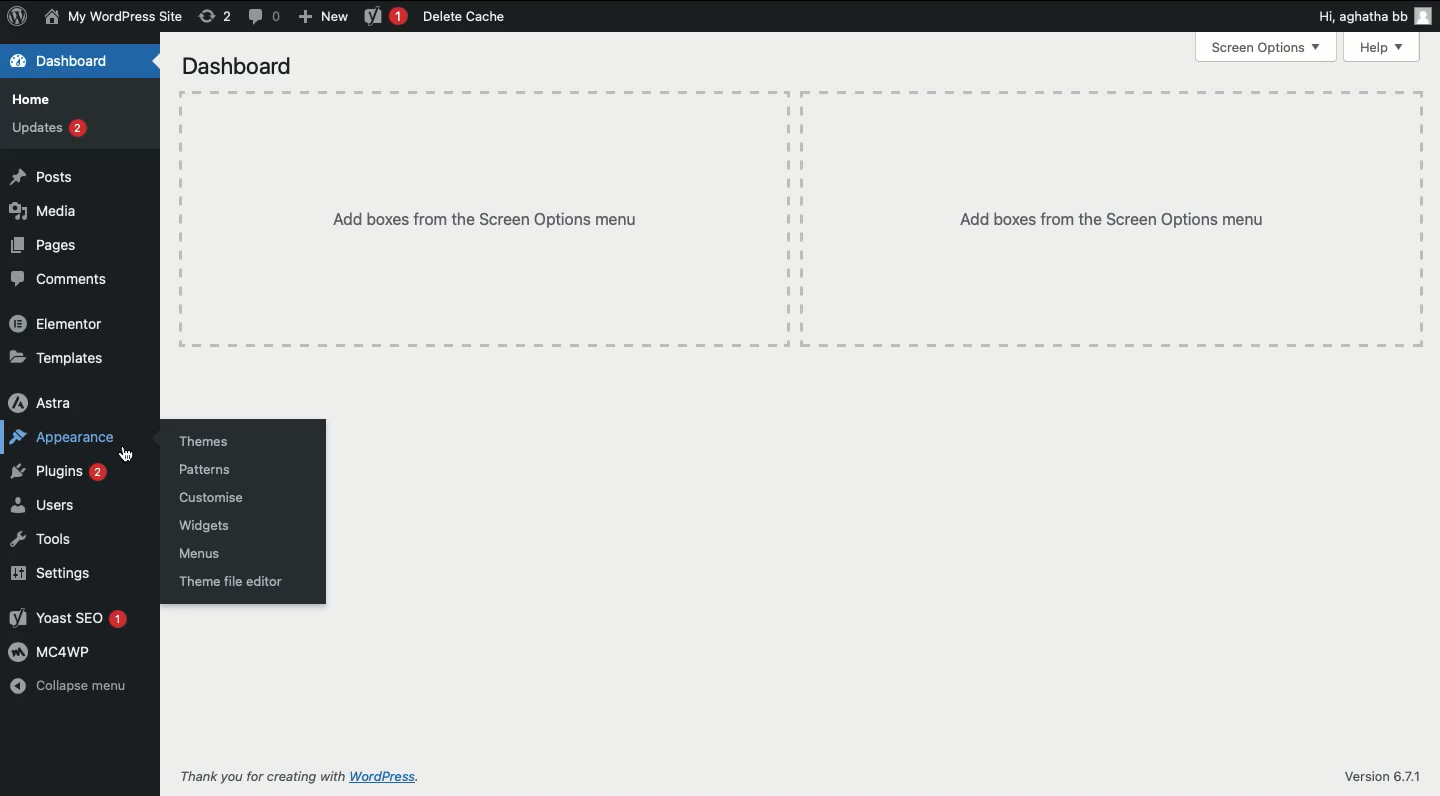 The width and height of the screenshot is (1440, 796). Describe the element at coordinates (220, 527) in the screenshot. I see `Click widgets` at that location.